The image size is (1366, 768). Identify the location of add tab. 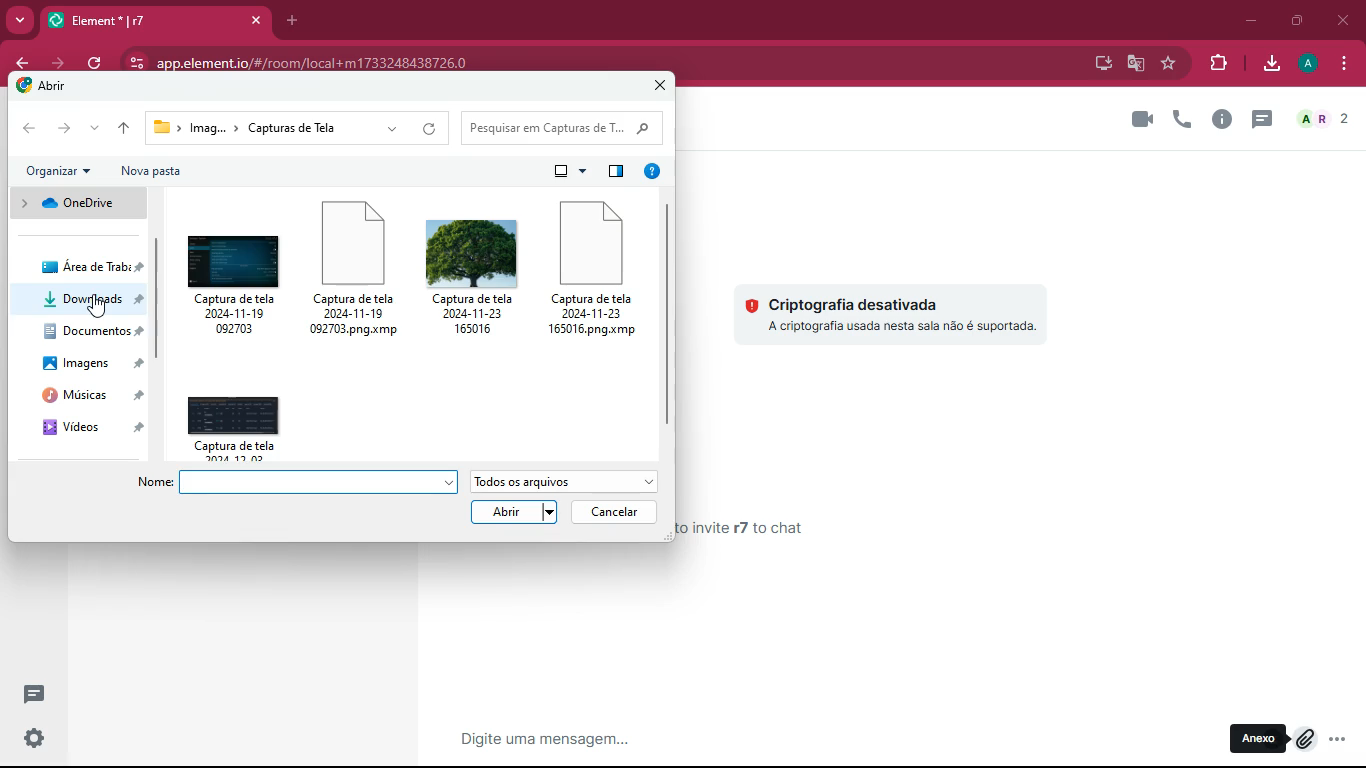
(291, 21).